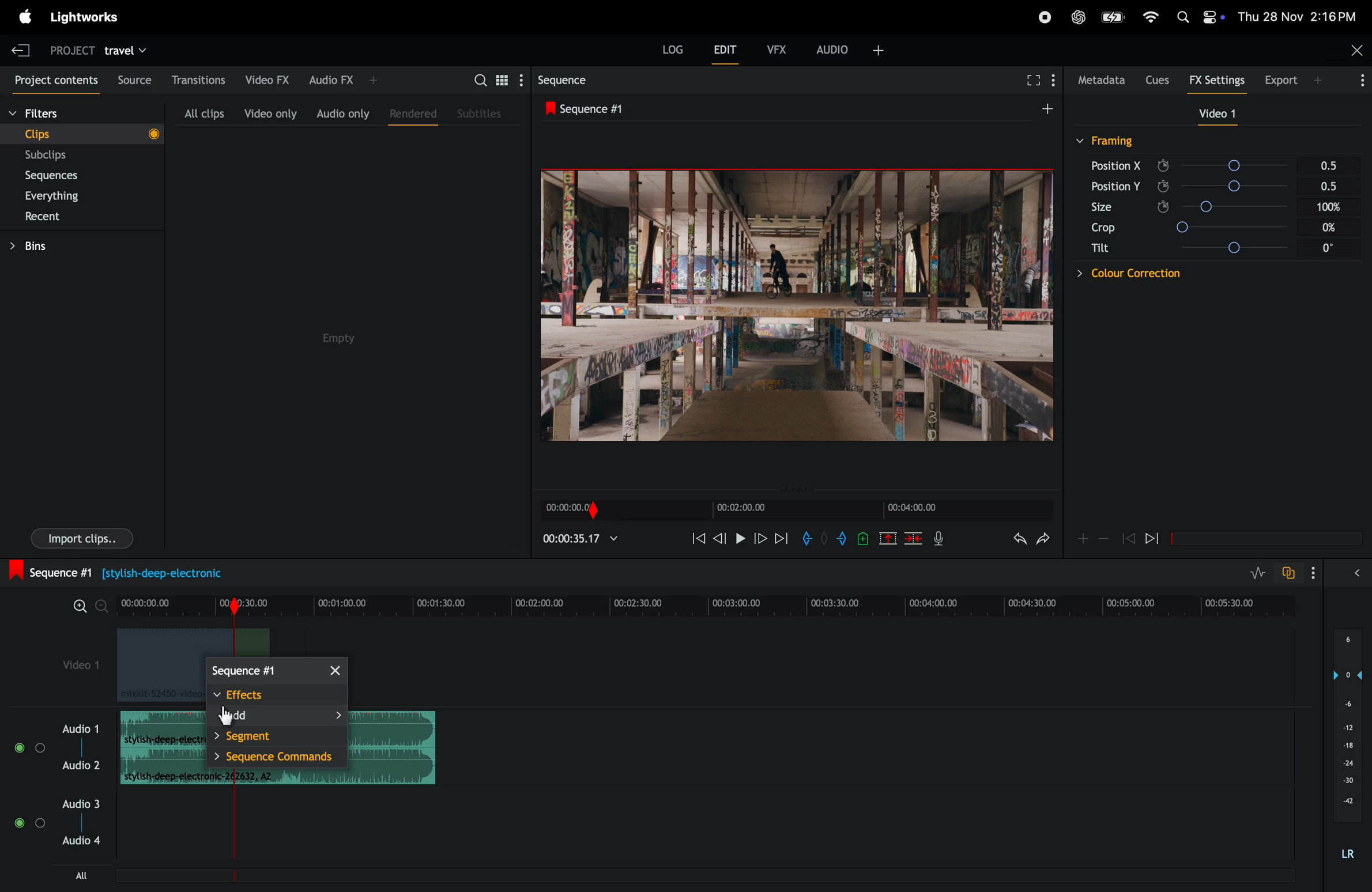 The height and width of the screenshot is (892, 1372). I want to click on export, so click(1289, 79).